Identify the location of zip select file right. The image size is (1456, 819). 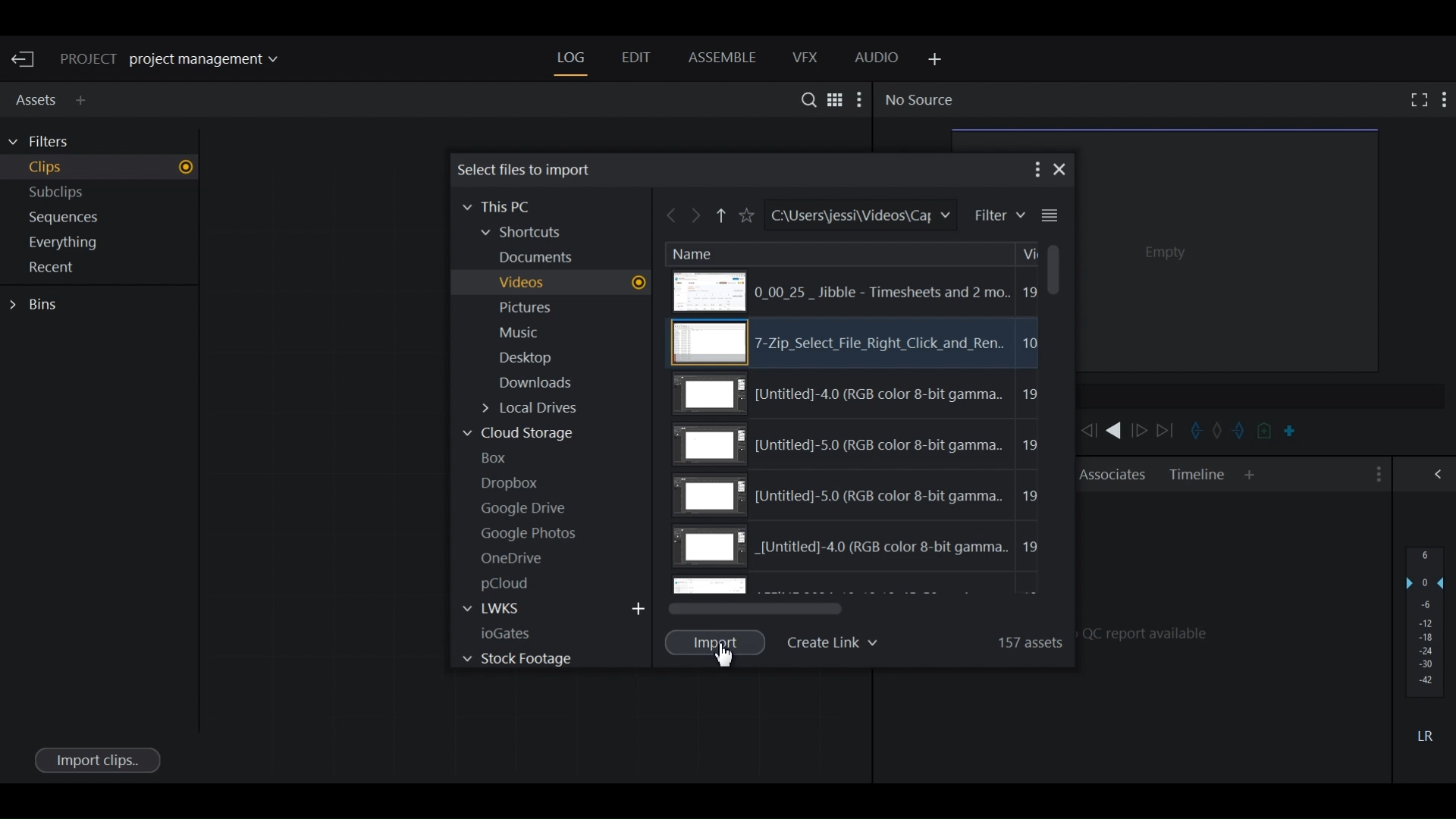
(857, 344).